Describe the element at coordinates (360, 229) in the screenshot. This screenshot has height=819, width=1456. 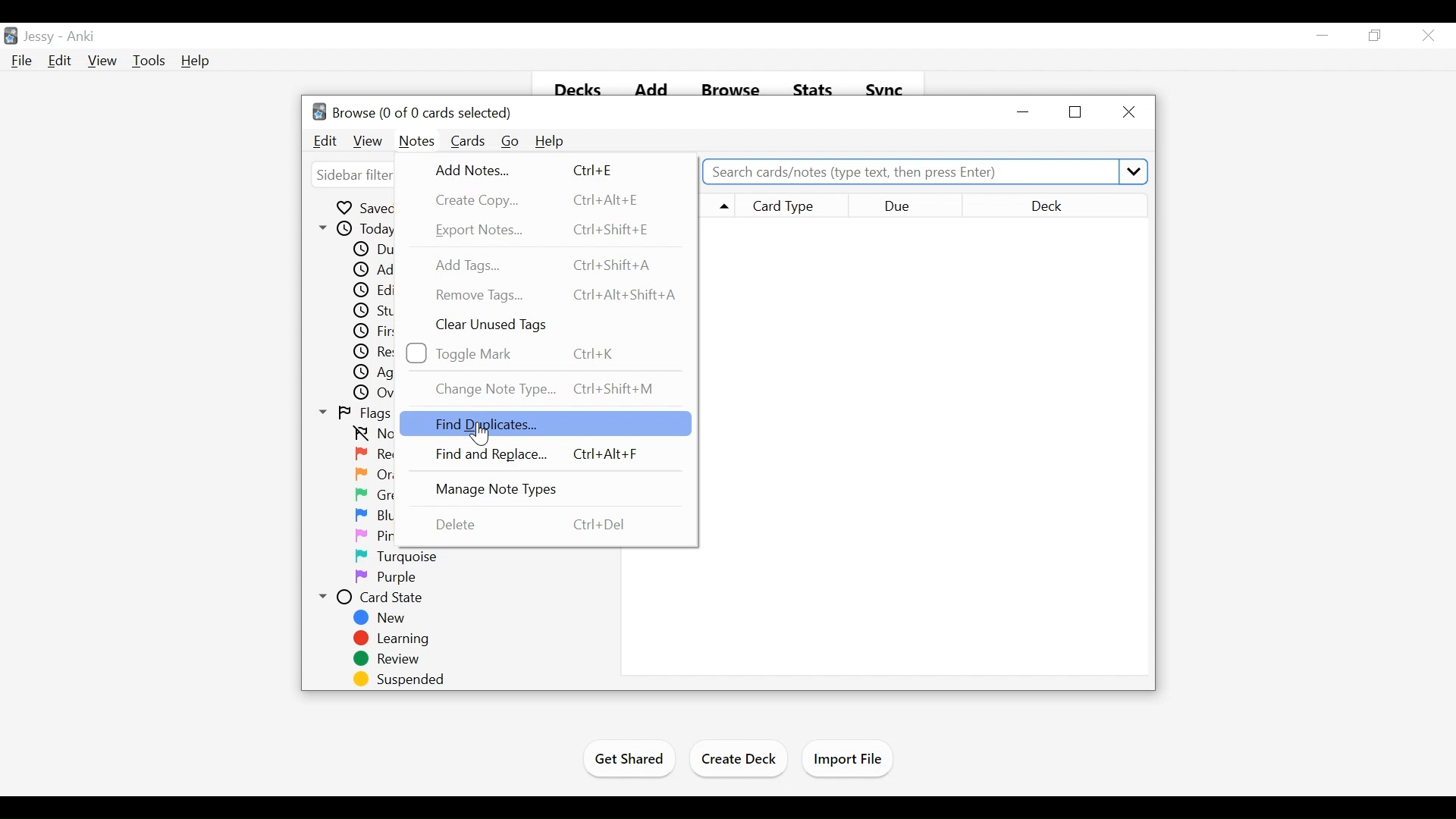
I see `Today` at that location.